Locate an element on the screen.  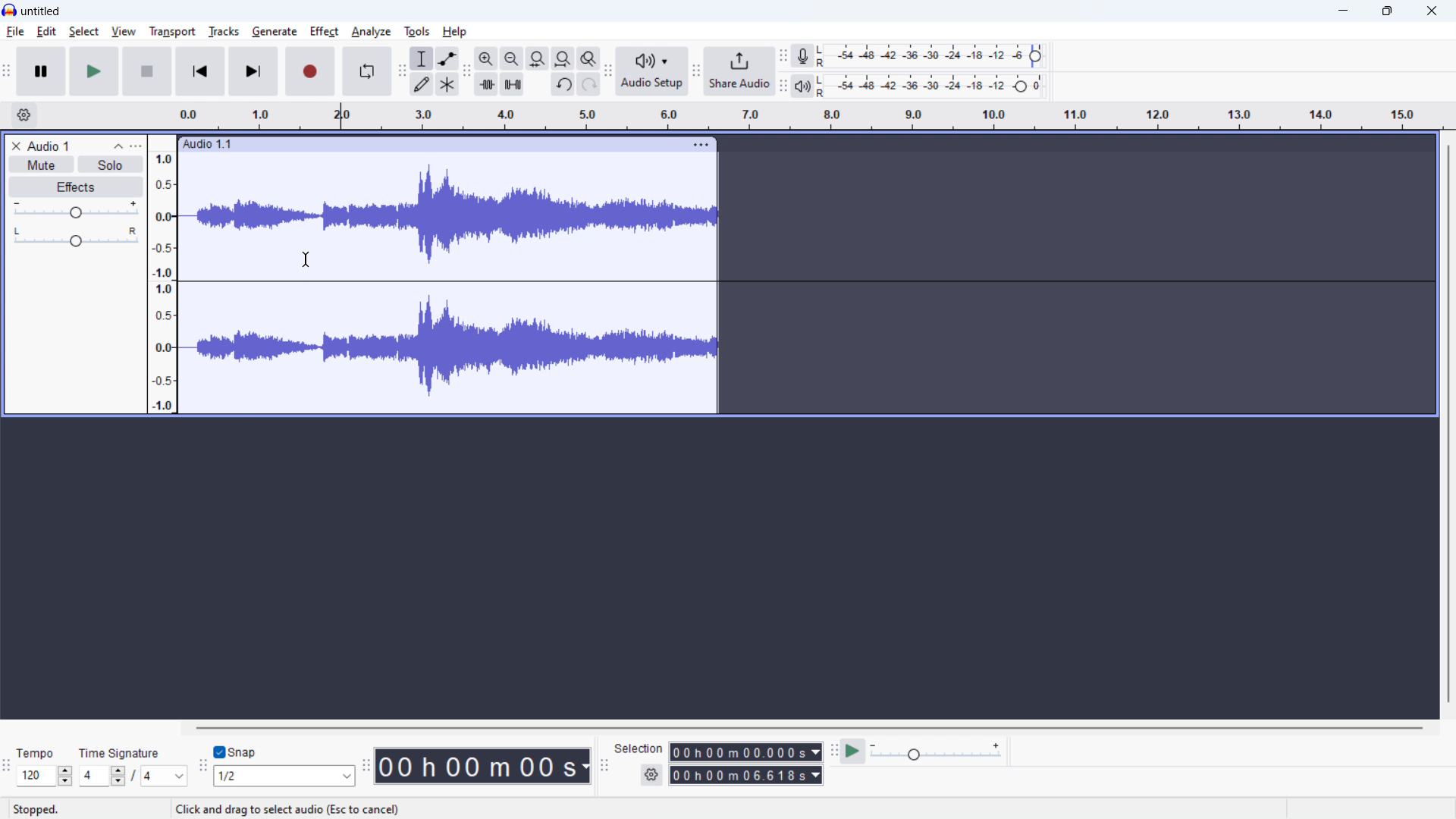
draw tool is located at coordinates (422, 83).